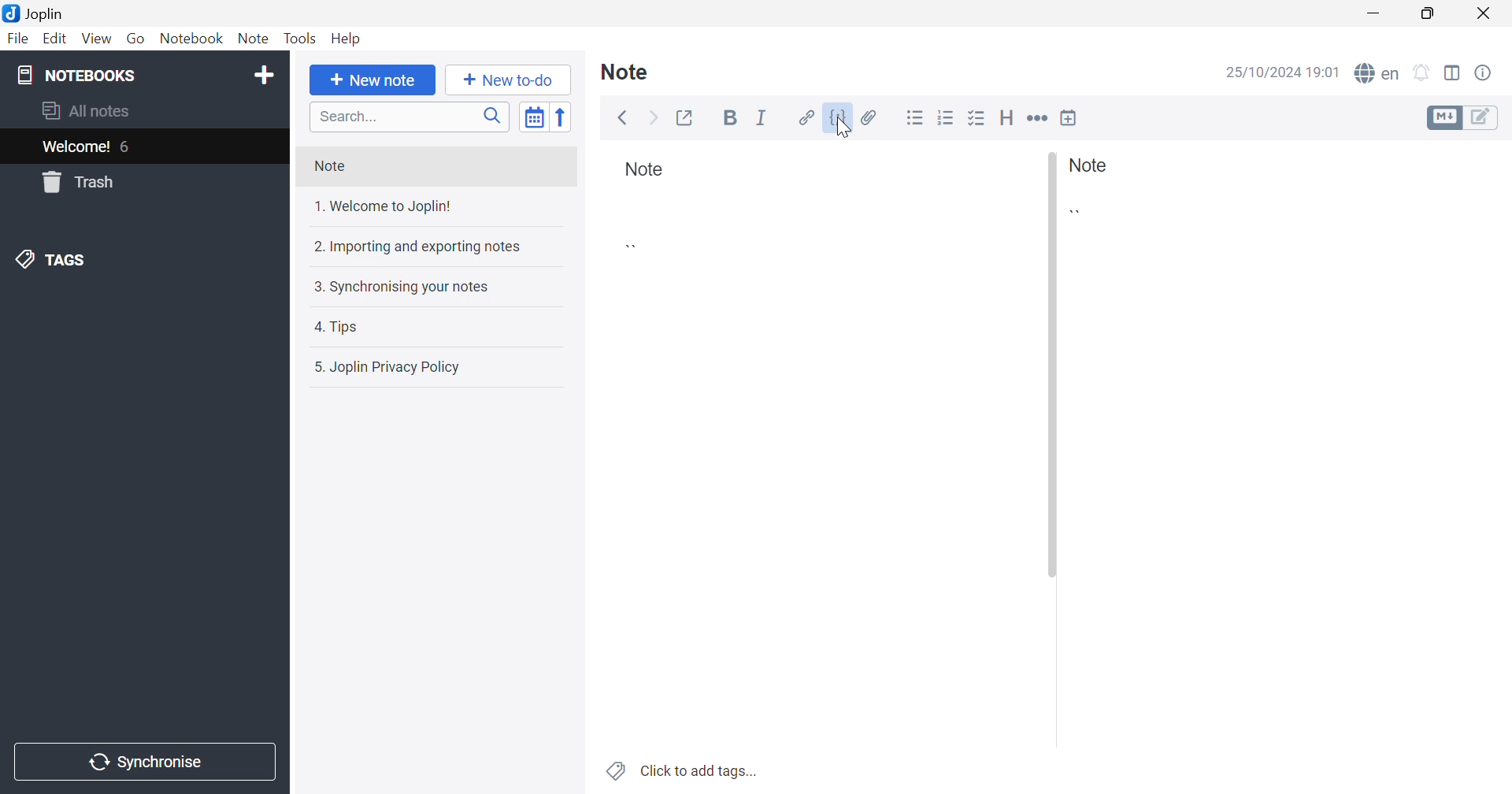 The height and width of the screenshot is (794, 1512). I want to click on Note, so click(254, 39).